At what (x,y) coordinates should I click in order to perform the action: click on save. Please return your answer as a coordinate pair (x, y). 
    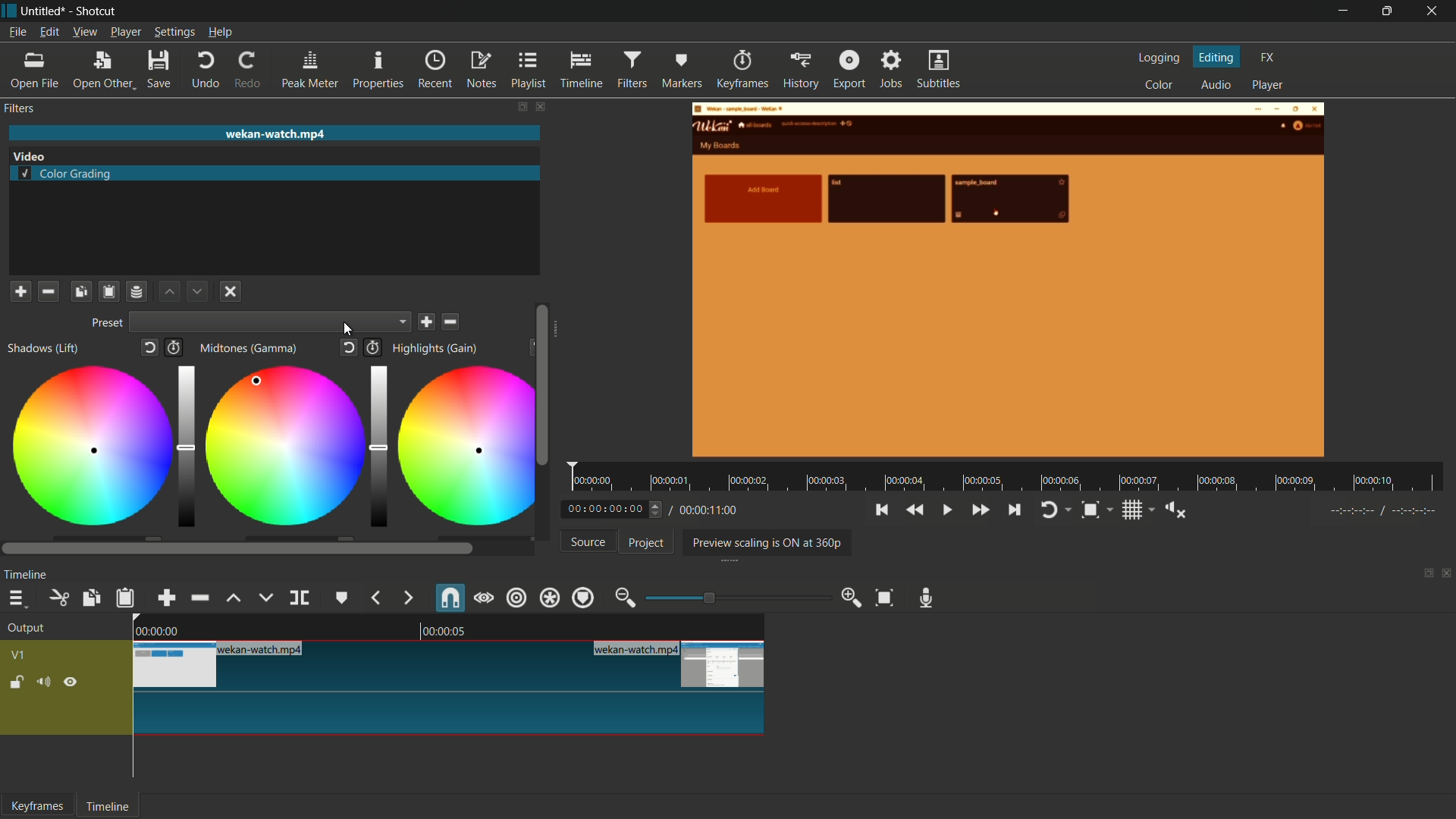
    Looking at the image, I should click on (162, 69).